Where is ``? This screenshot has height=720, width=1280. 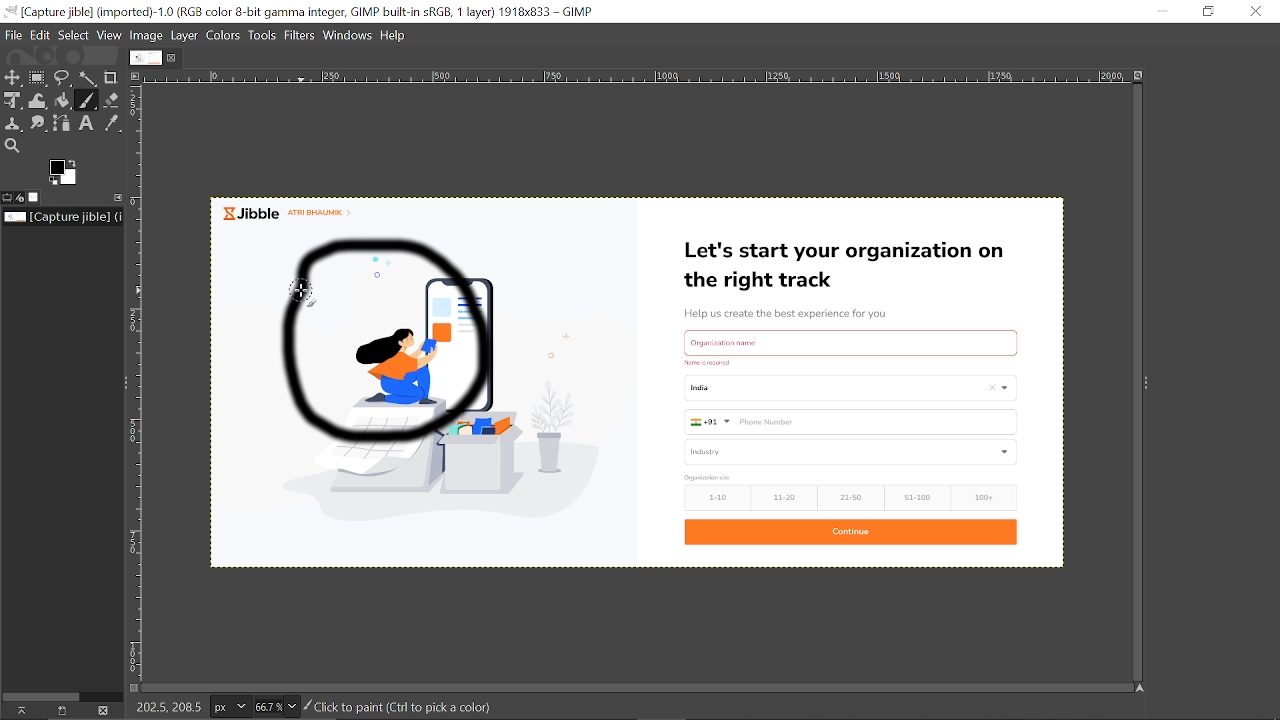  is located at coordinates (1208, 13).